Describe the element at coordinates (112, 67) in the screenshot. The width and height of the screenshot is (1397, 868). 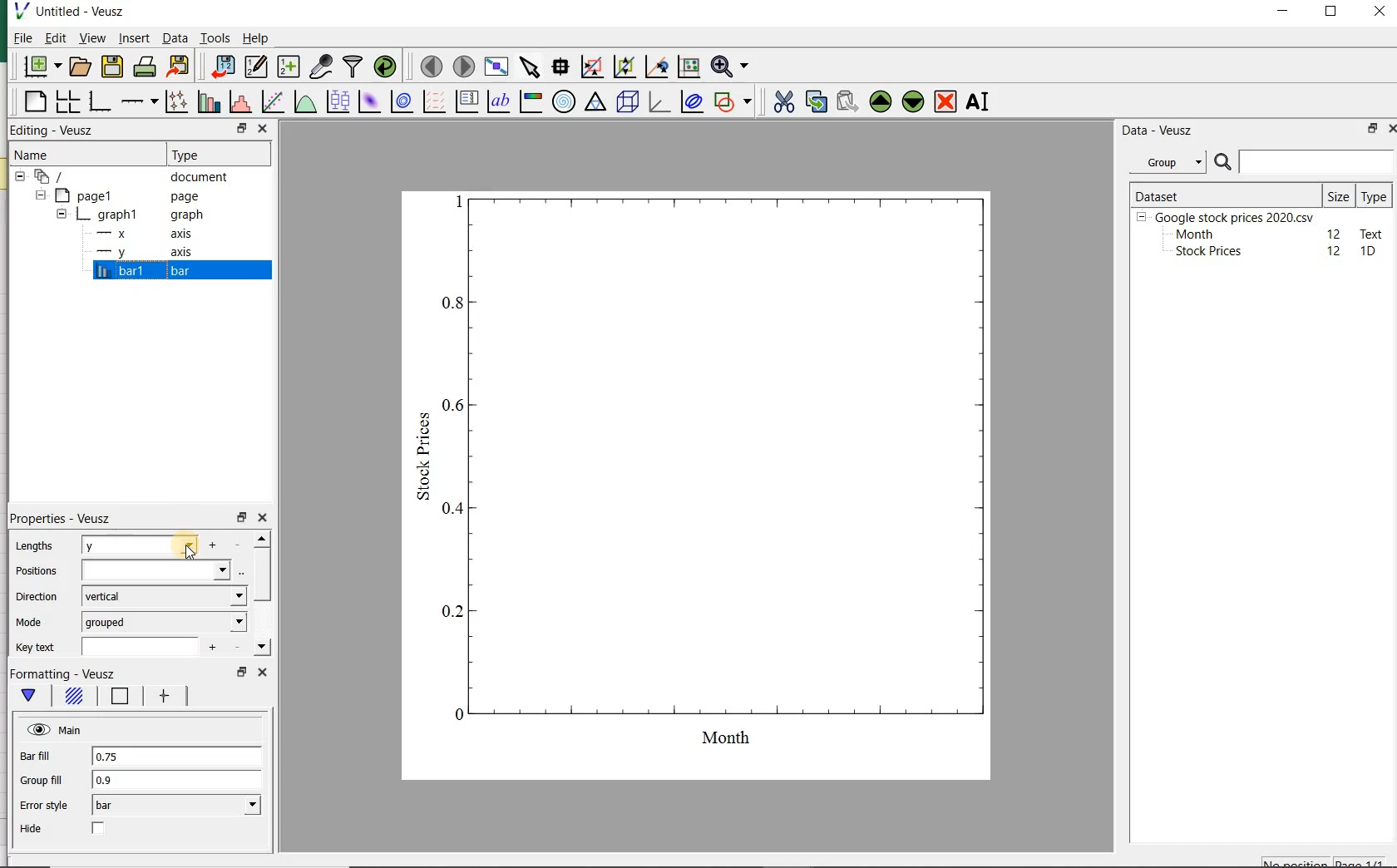
I see `save the document` at that location.